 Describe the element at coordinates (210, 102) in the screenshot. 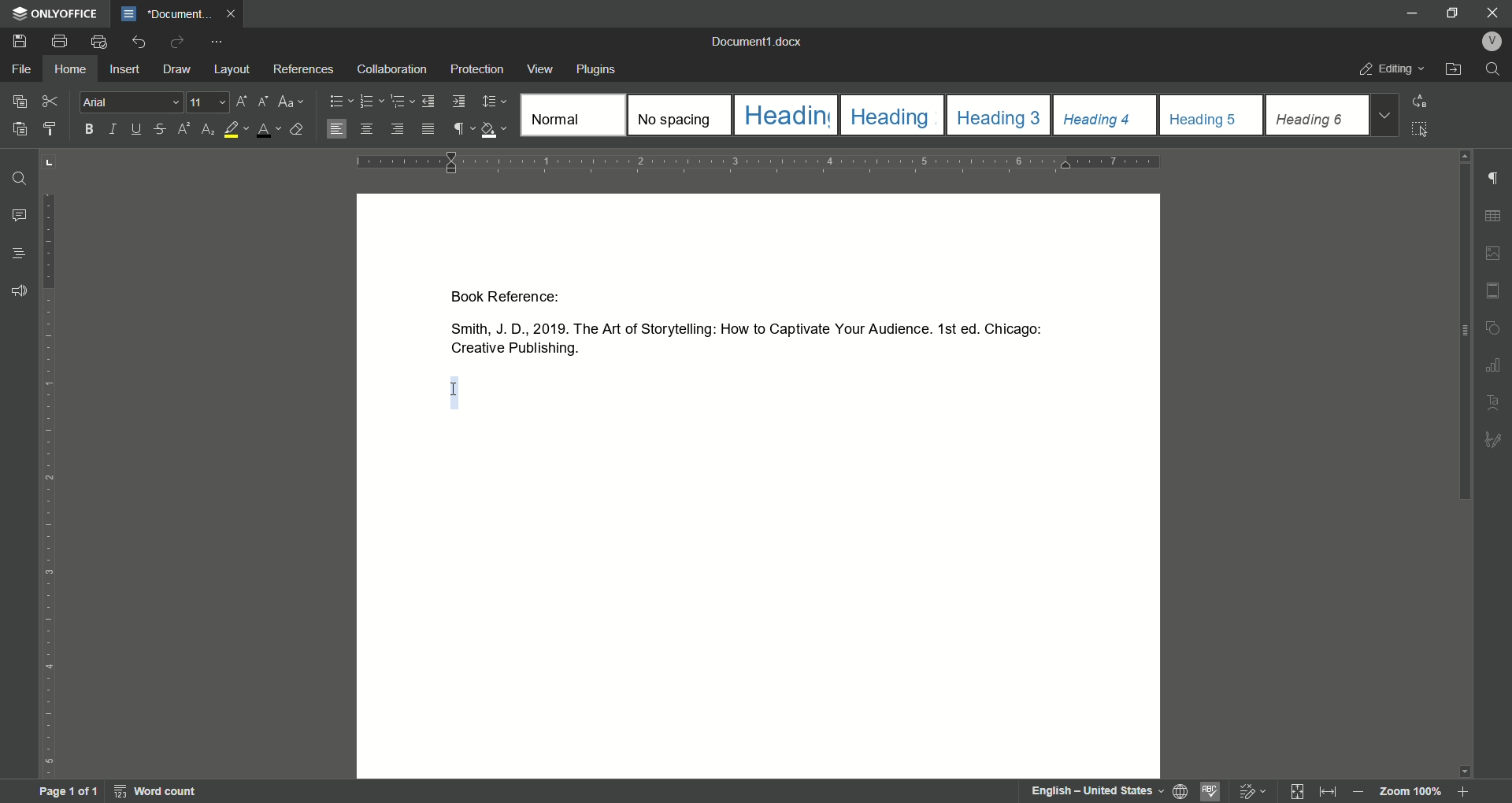

I see `font size` at that location.